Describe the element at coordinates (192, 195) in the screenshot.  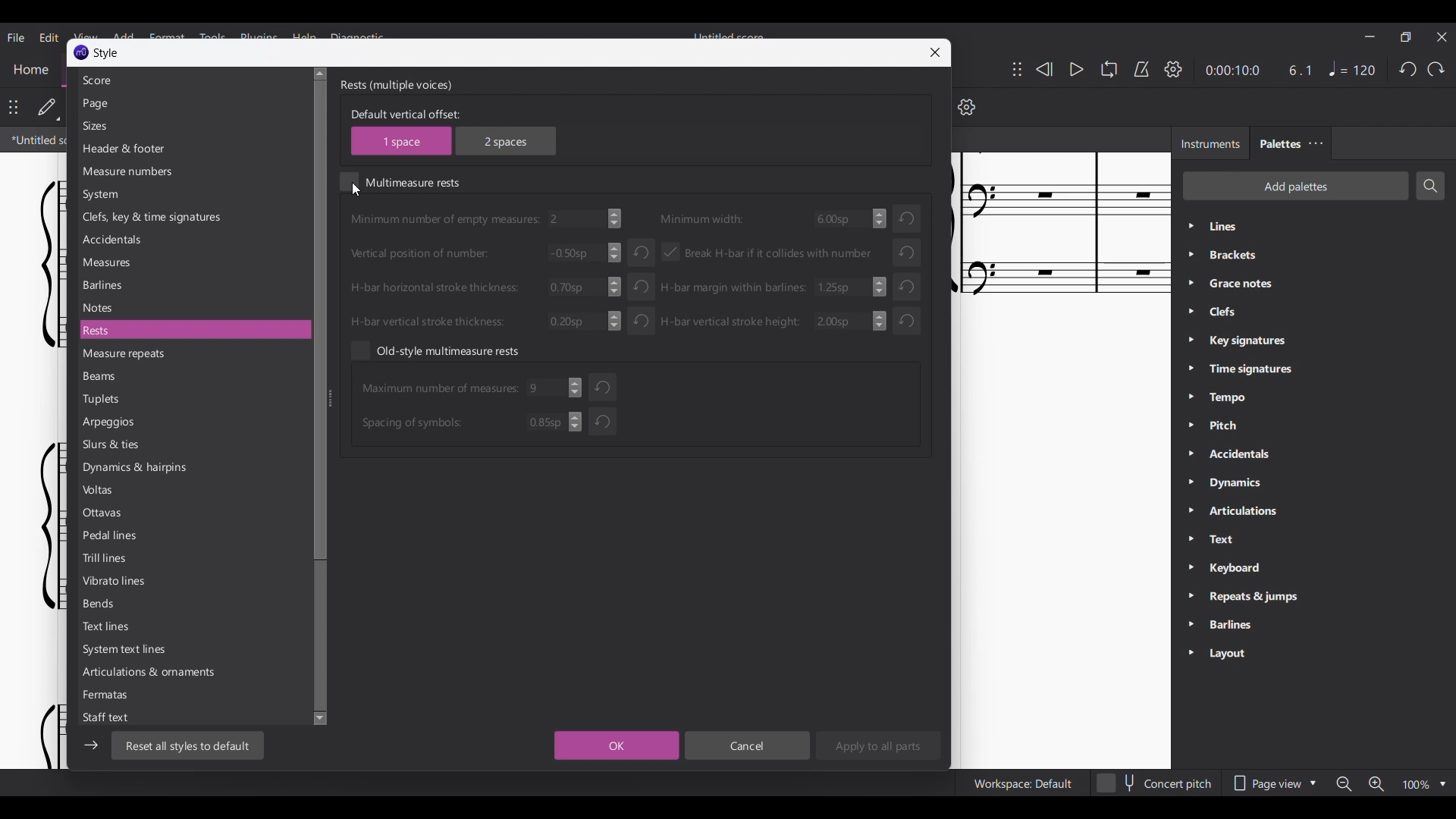
I see `System` at that location.